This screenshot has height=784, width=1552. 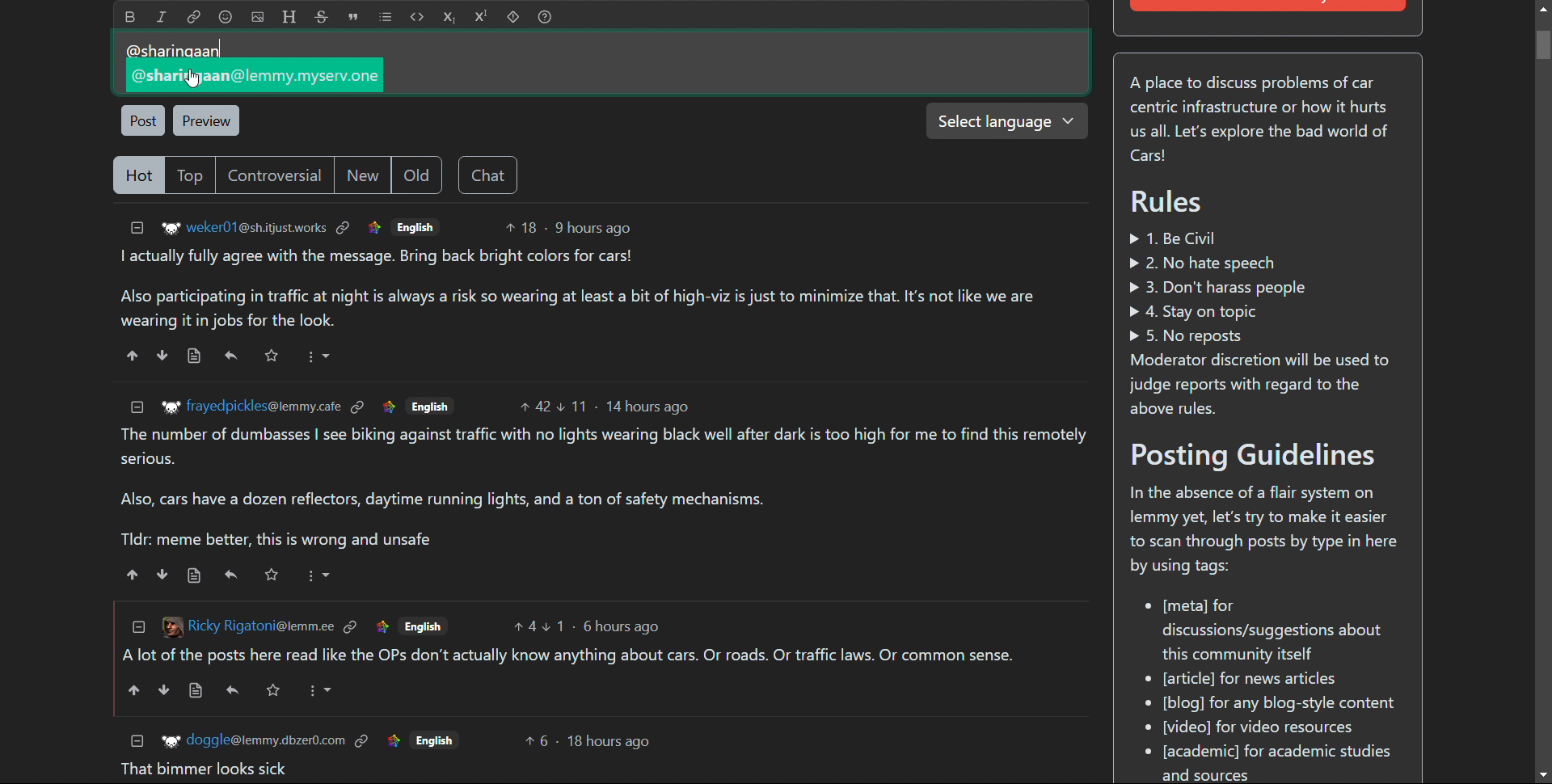 I want to click on upvotes 1, so click(x=555, y=626).